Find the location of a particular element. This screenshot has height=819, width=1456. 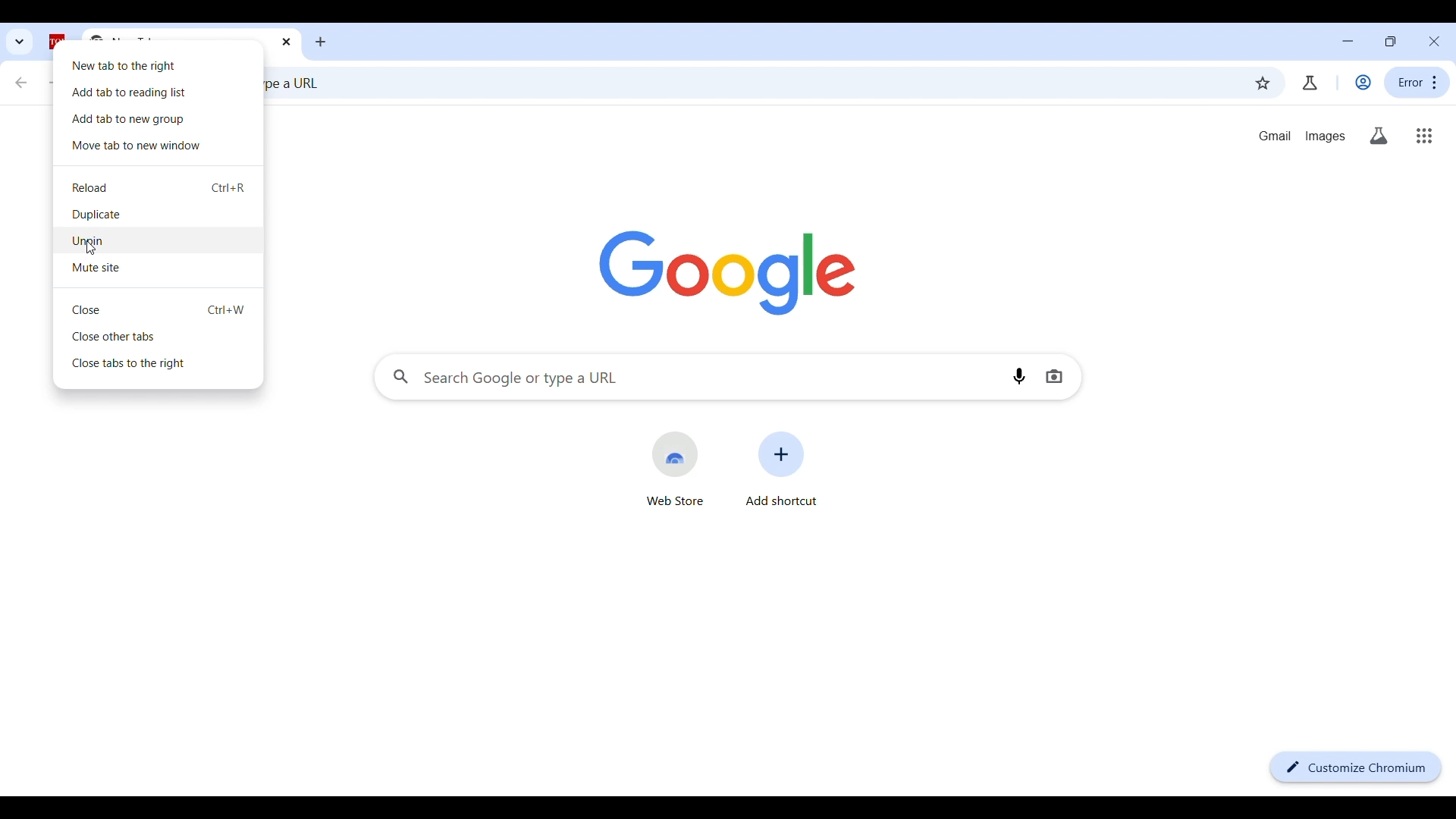

Search by image is located at coordinates (1054, 376).